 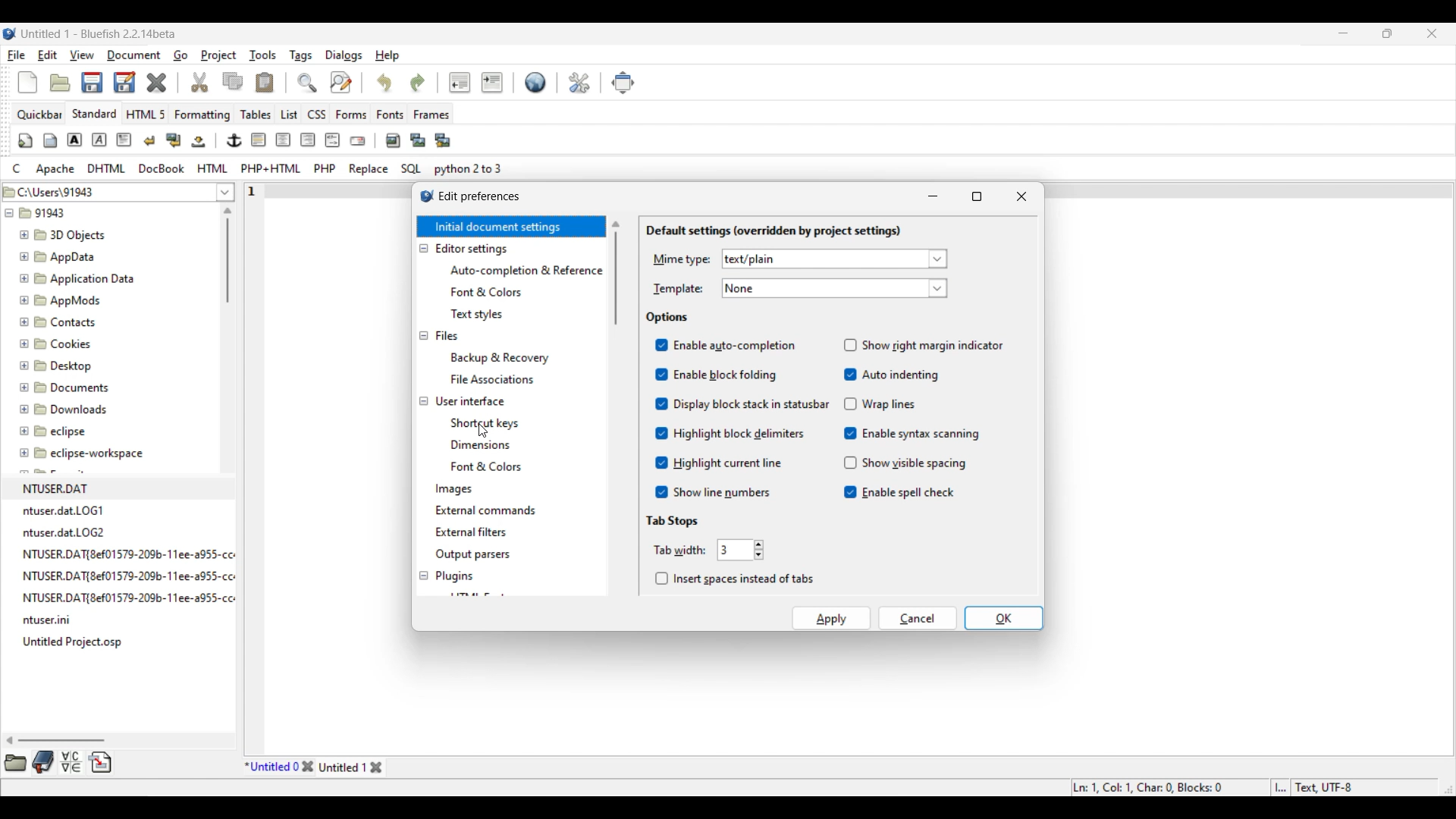 I want to click on List, so click(x=289, y=115).